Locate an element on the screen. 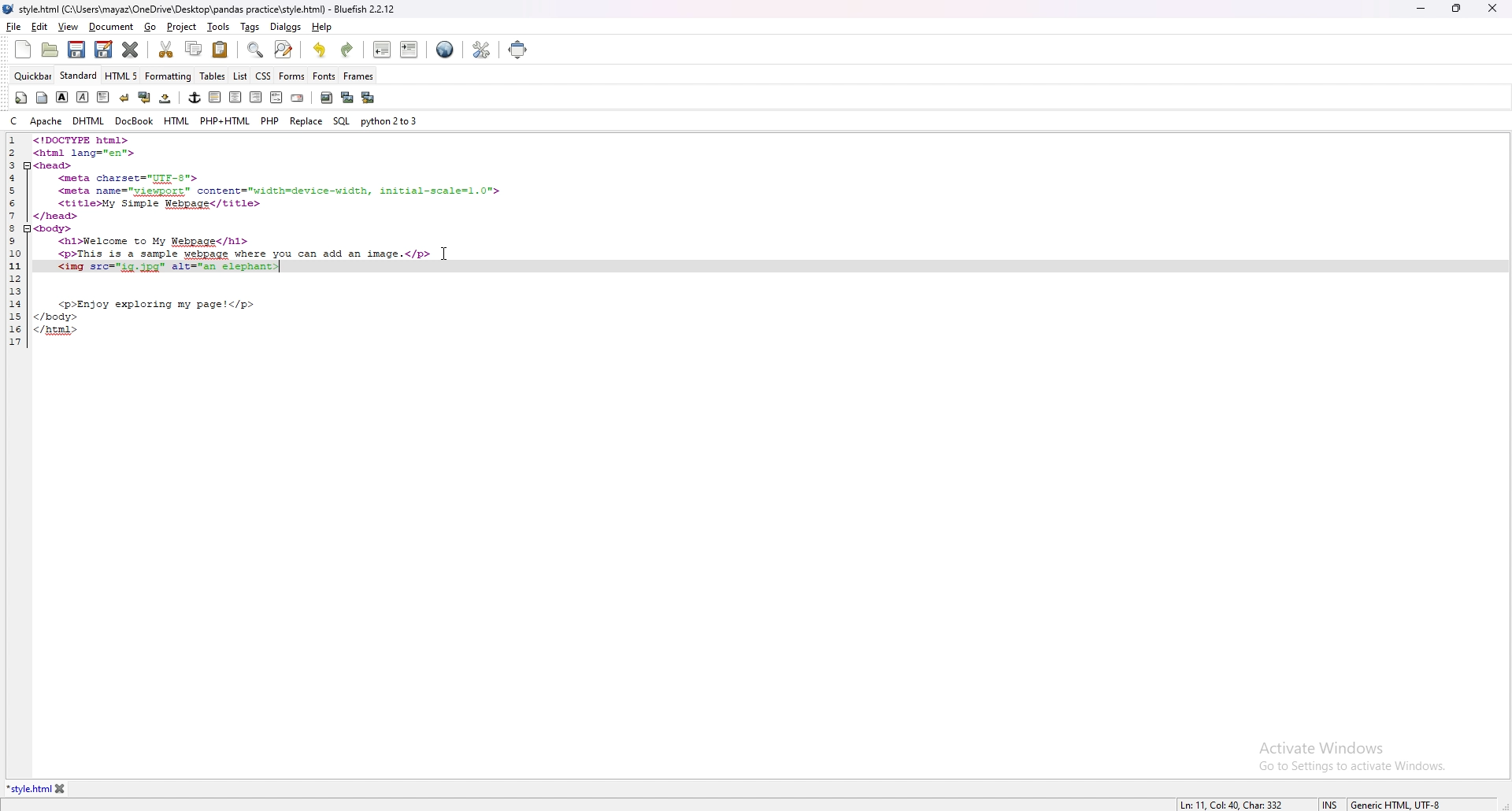  formatting is located at coordinates (169, 76).